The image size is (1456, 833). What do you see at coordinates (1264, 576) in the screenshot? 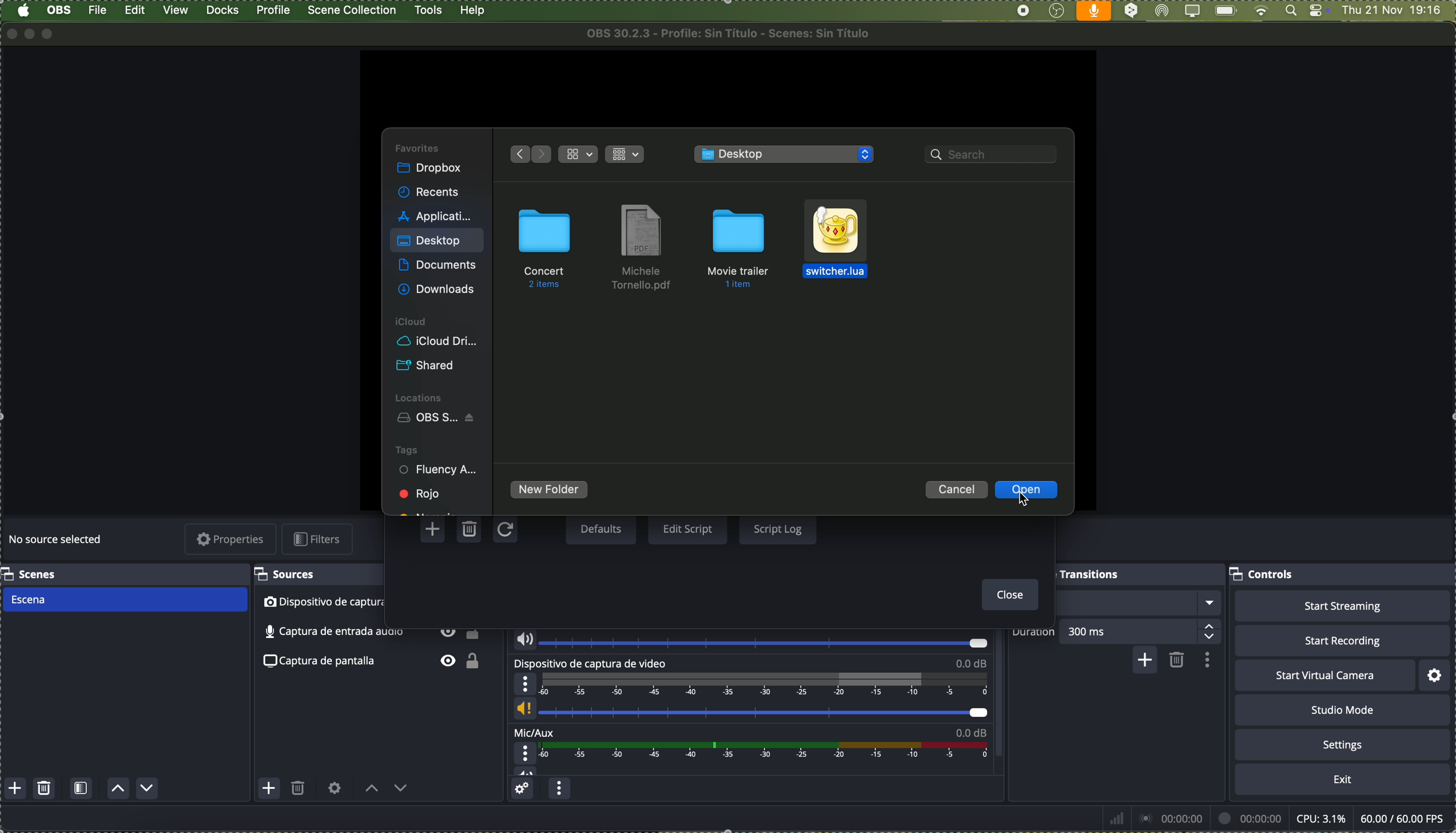
I see `controls` at bounding box center [1264, 576].